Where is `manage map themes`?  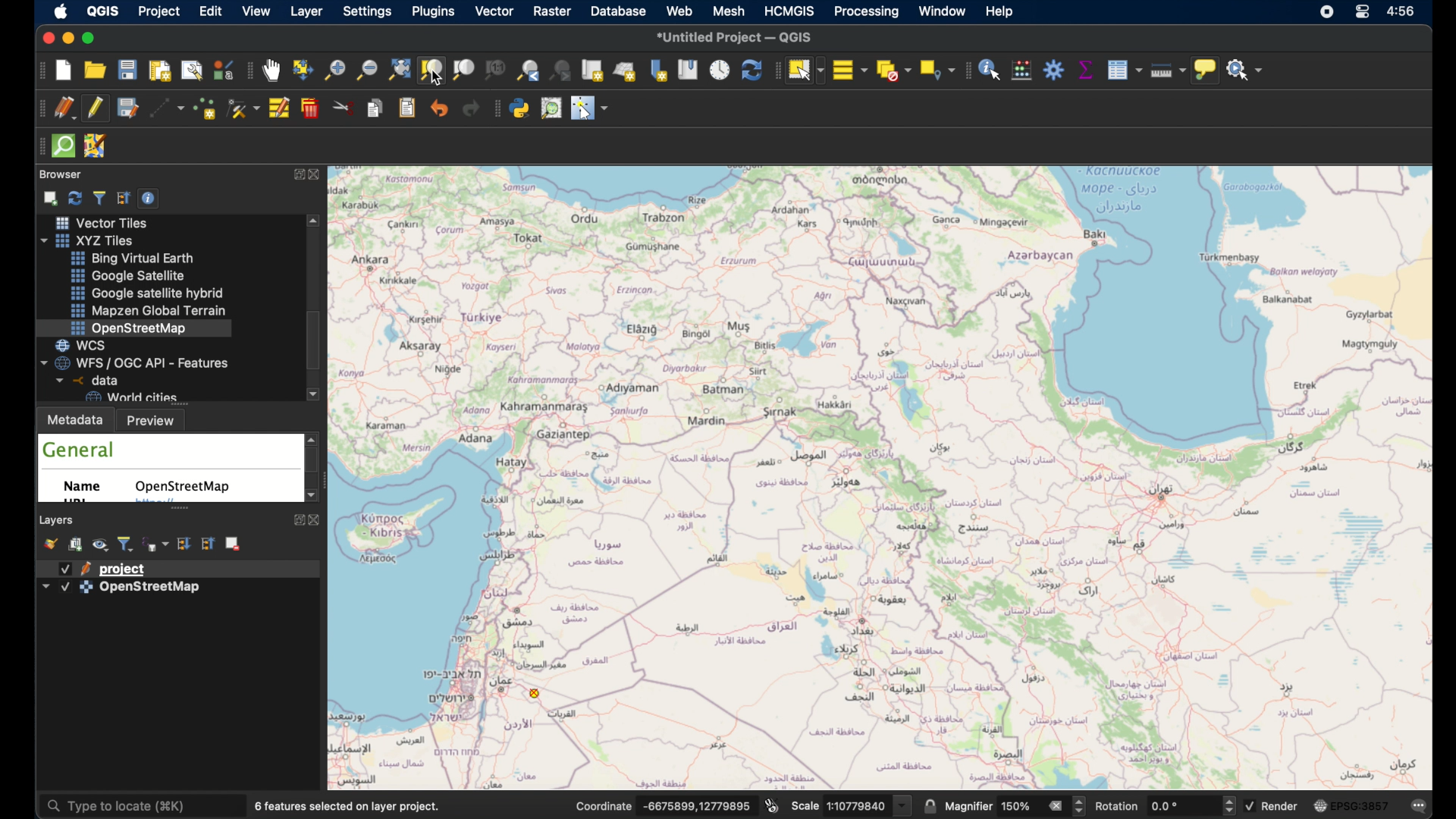 manage map themes is located at coordinates (102, 546).